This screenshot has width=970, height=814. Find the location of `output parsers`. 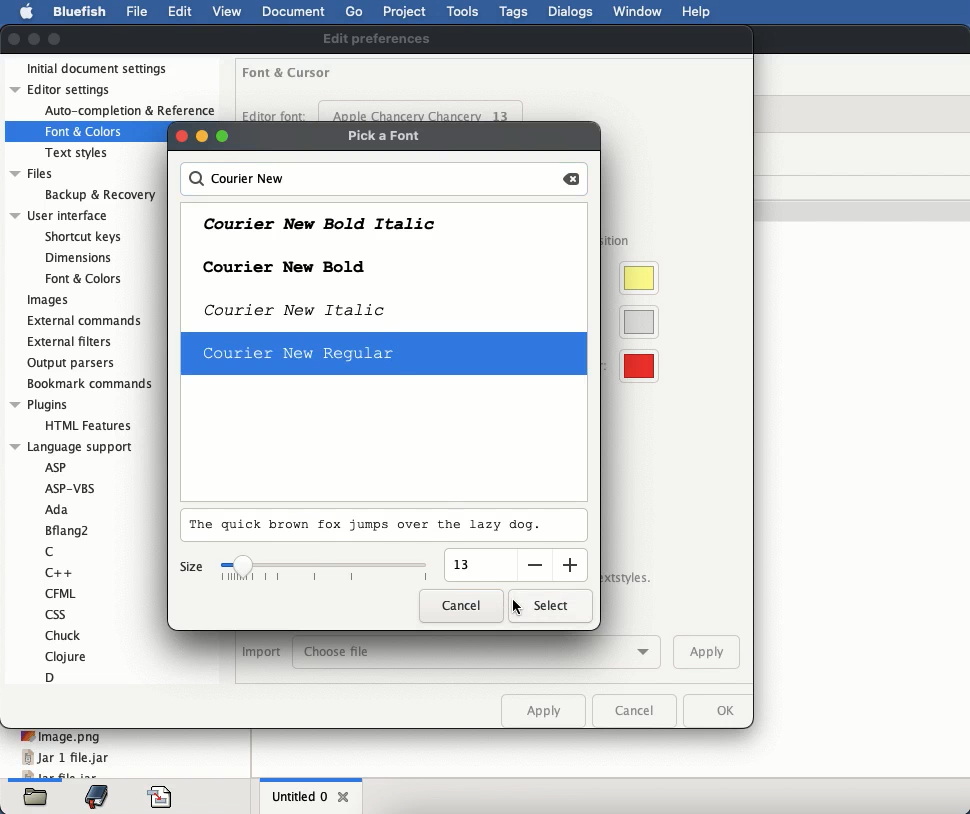

output parsers is located at coordinates (73, 365).